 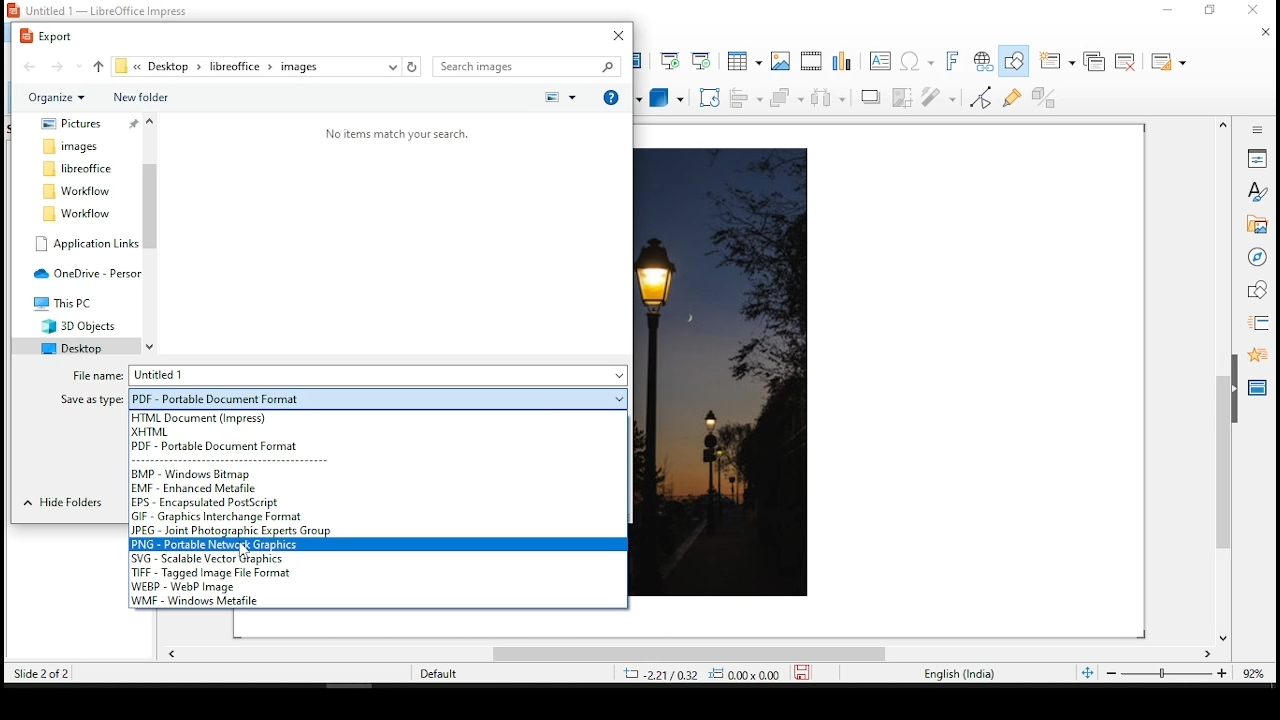 What do you see at coordinates (76, 191) in the screenshot?
I see `folder` at bounding box center [76, 191].